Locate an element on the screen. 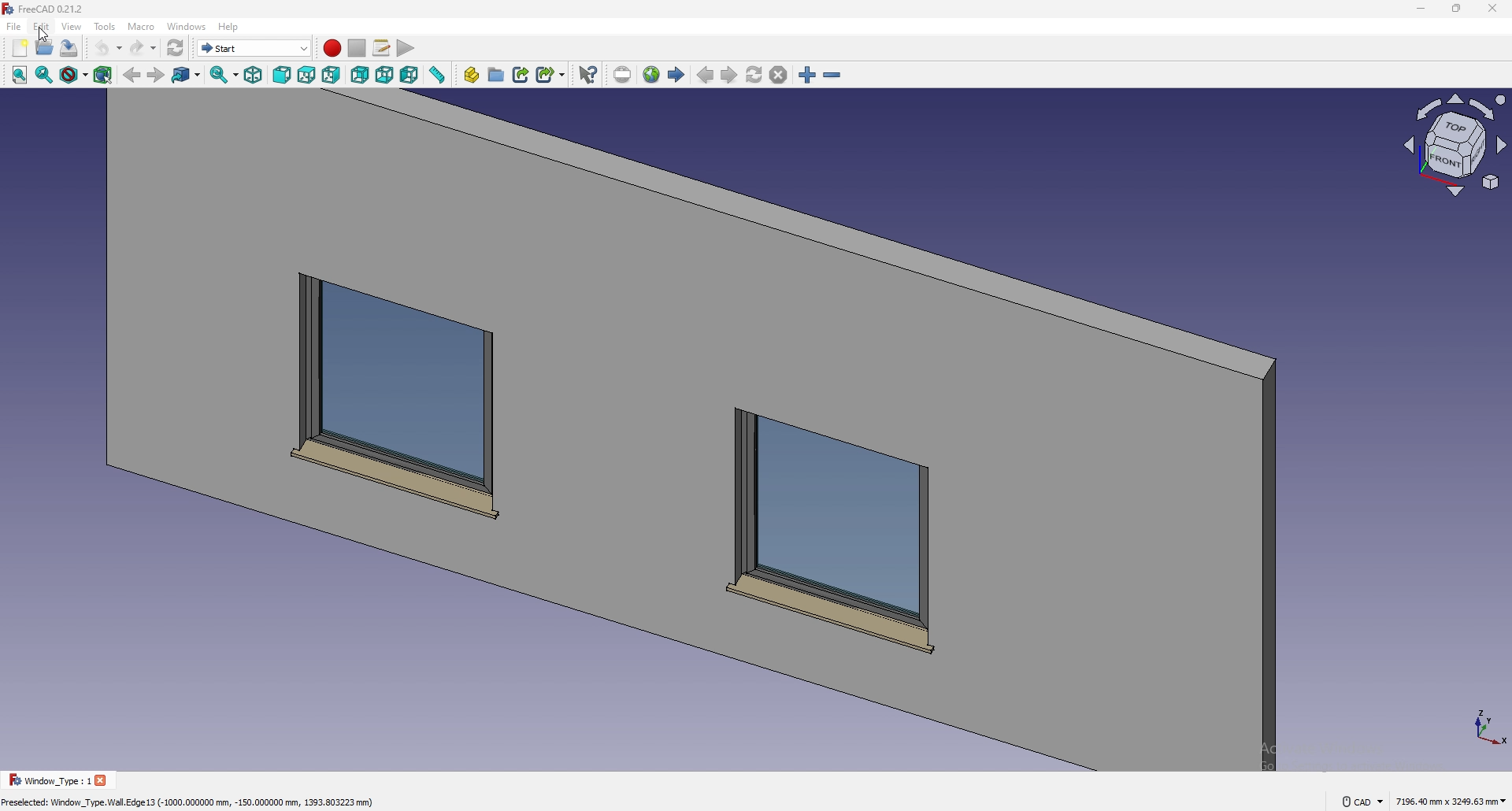  next page is located at coordinates (729, 76).